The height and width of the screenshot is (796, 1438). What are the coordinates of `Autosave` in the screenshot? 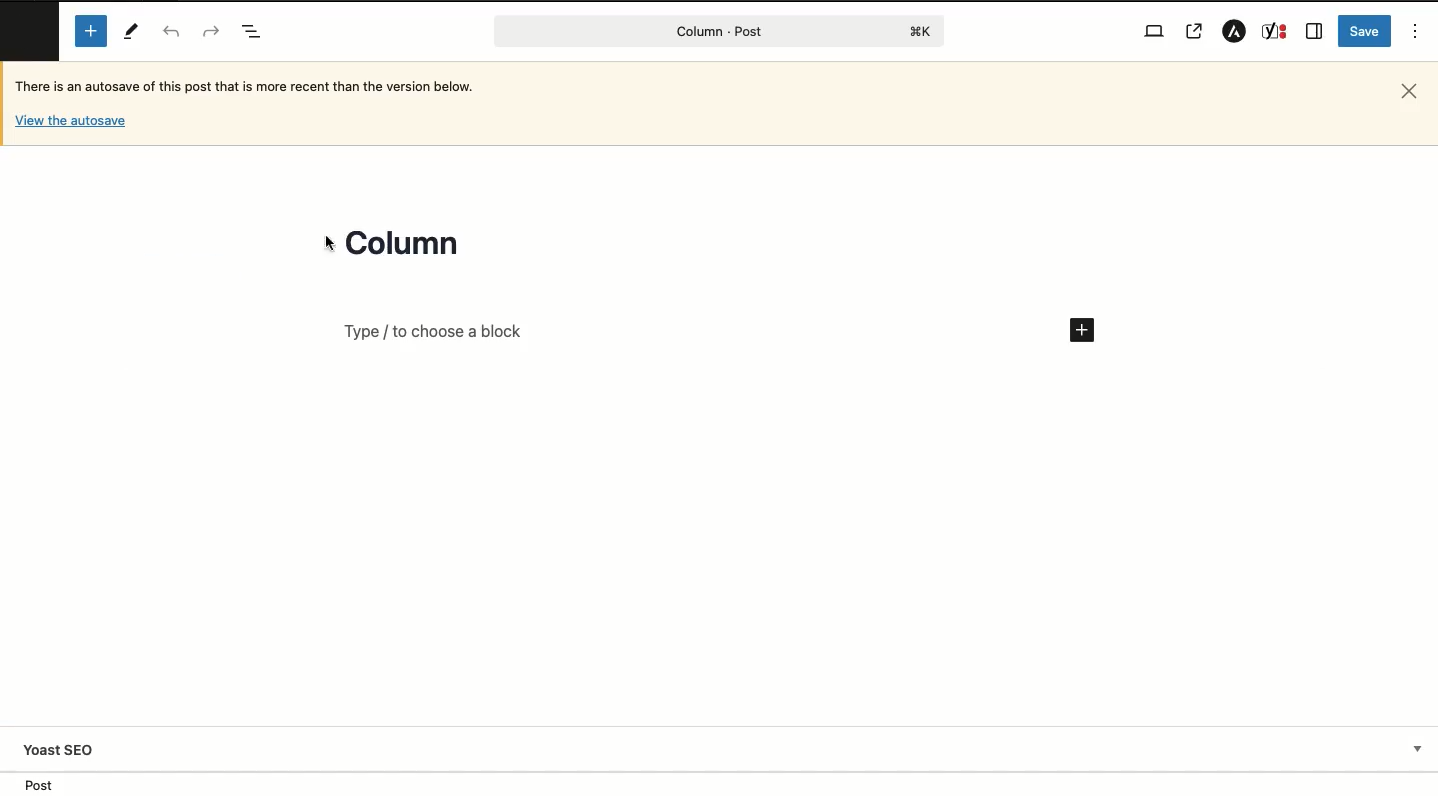 It's located at (269, 85).